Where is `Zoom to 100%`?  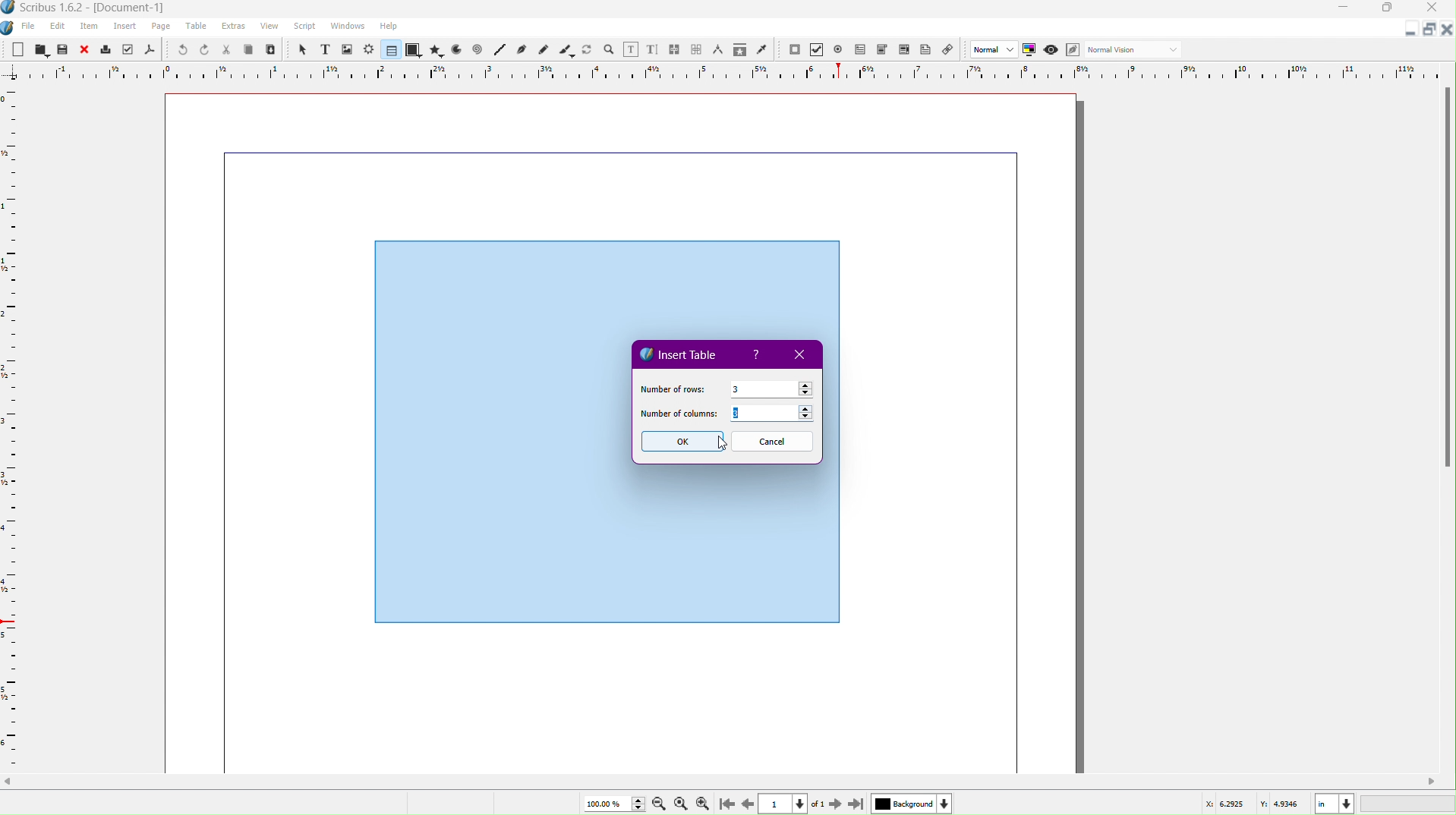
Zoom to 100% is located at coordinates (680, 801).